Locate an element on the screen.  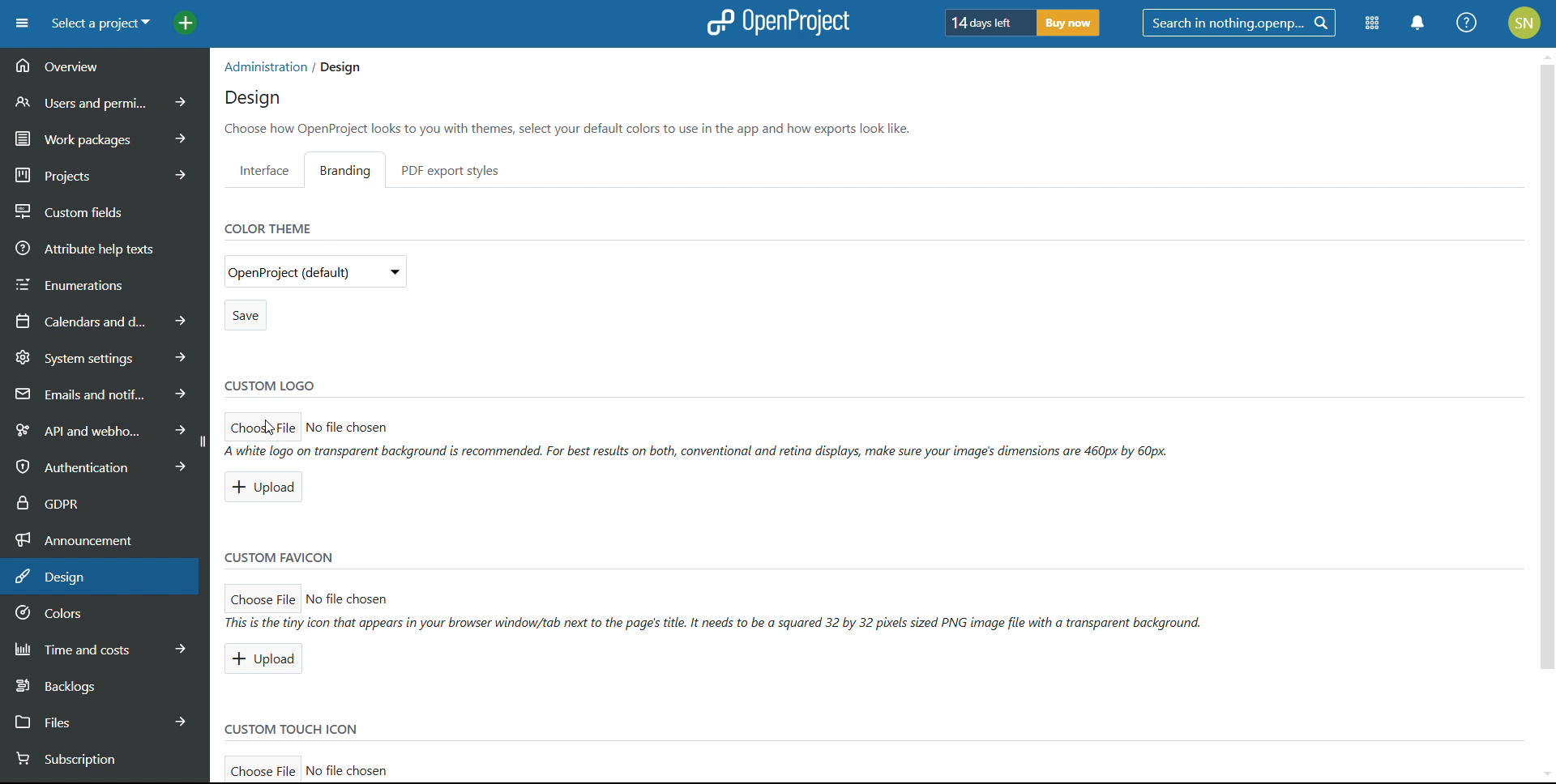
scroll down is located at coordinates (1541, 772).